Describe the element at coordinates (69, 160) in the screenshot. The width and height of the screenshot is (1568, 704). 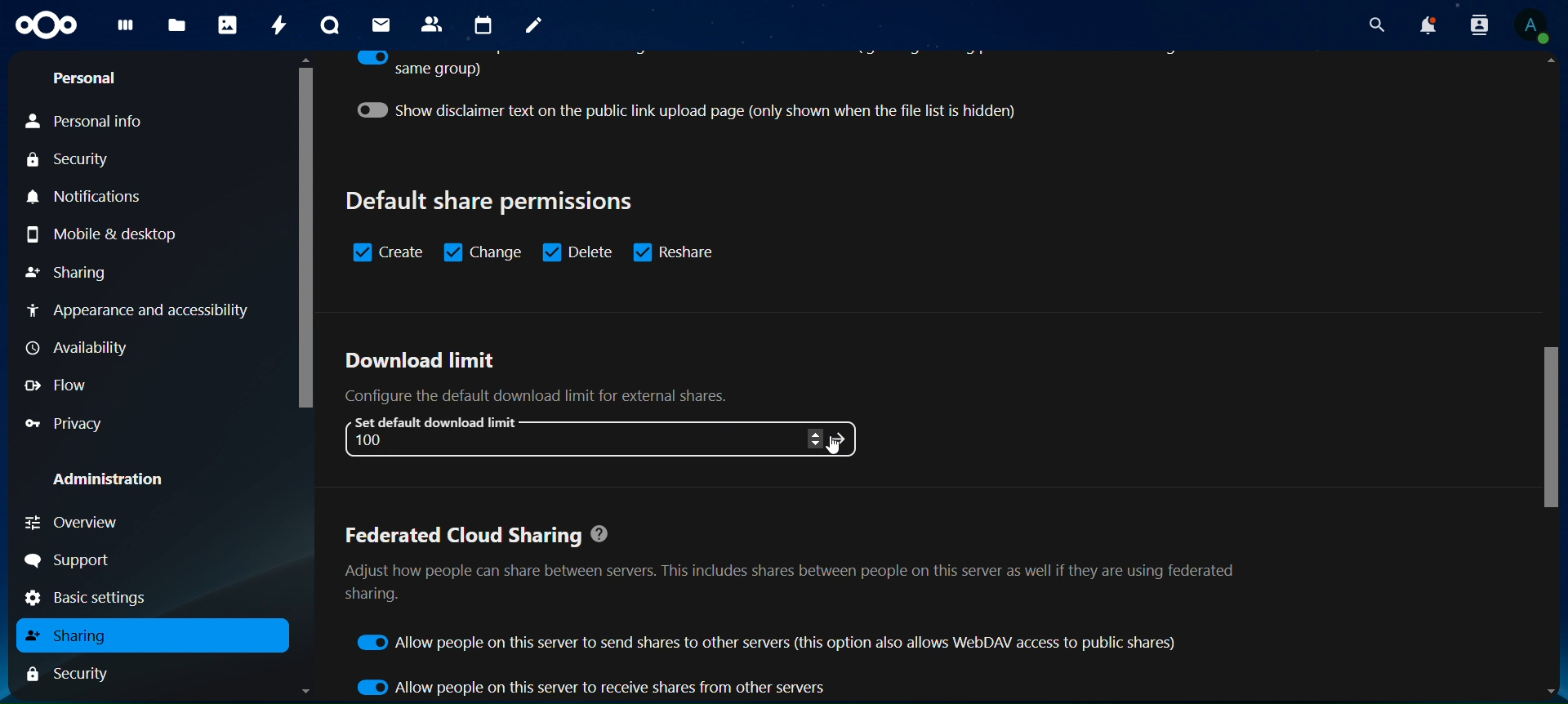
I see `security` at that location.